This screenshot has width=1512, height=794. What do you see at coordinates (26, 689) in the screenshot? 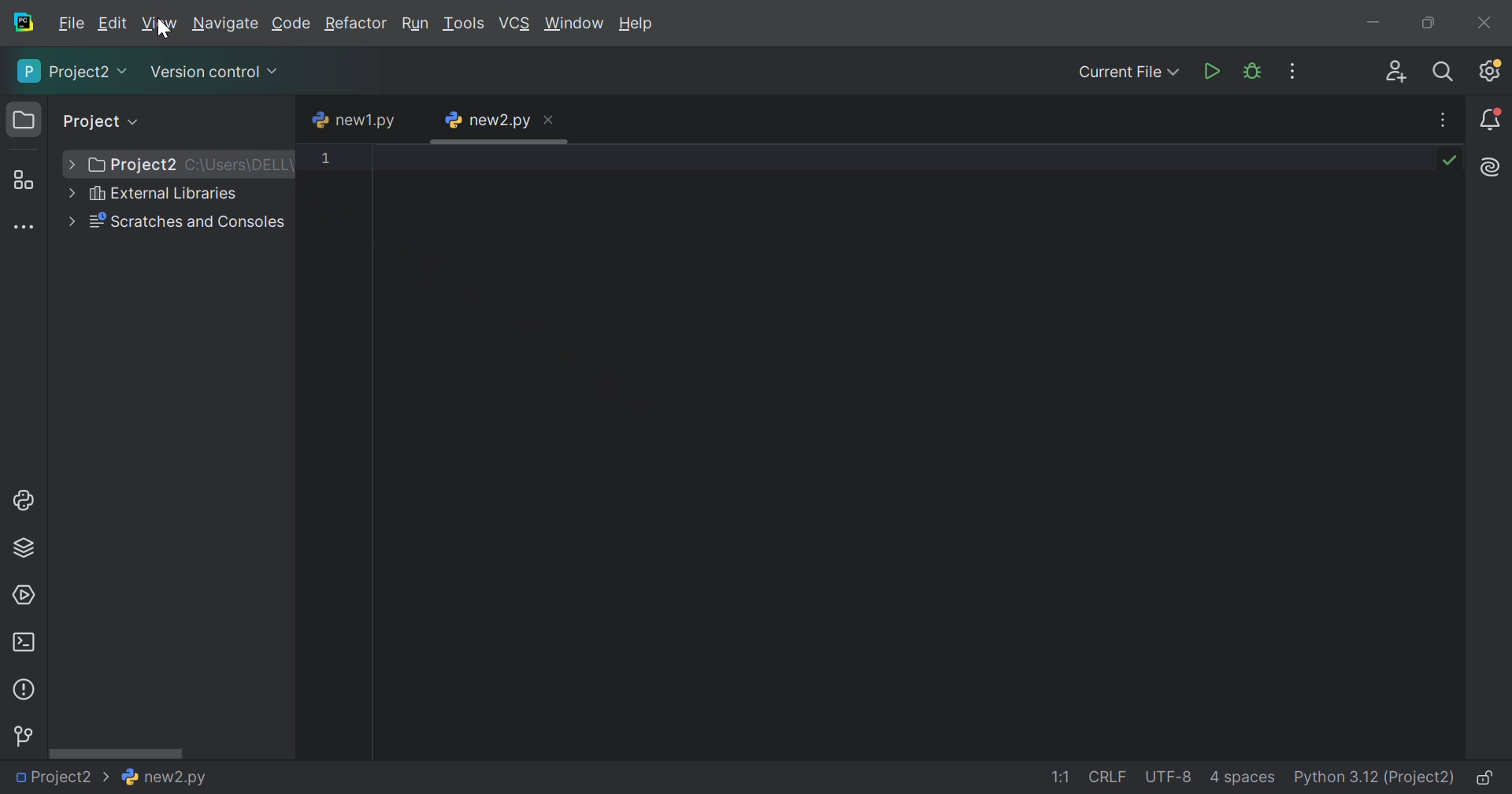
I see `Problems` at bounding box center [26, 689].